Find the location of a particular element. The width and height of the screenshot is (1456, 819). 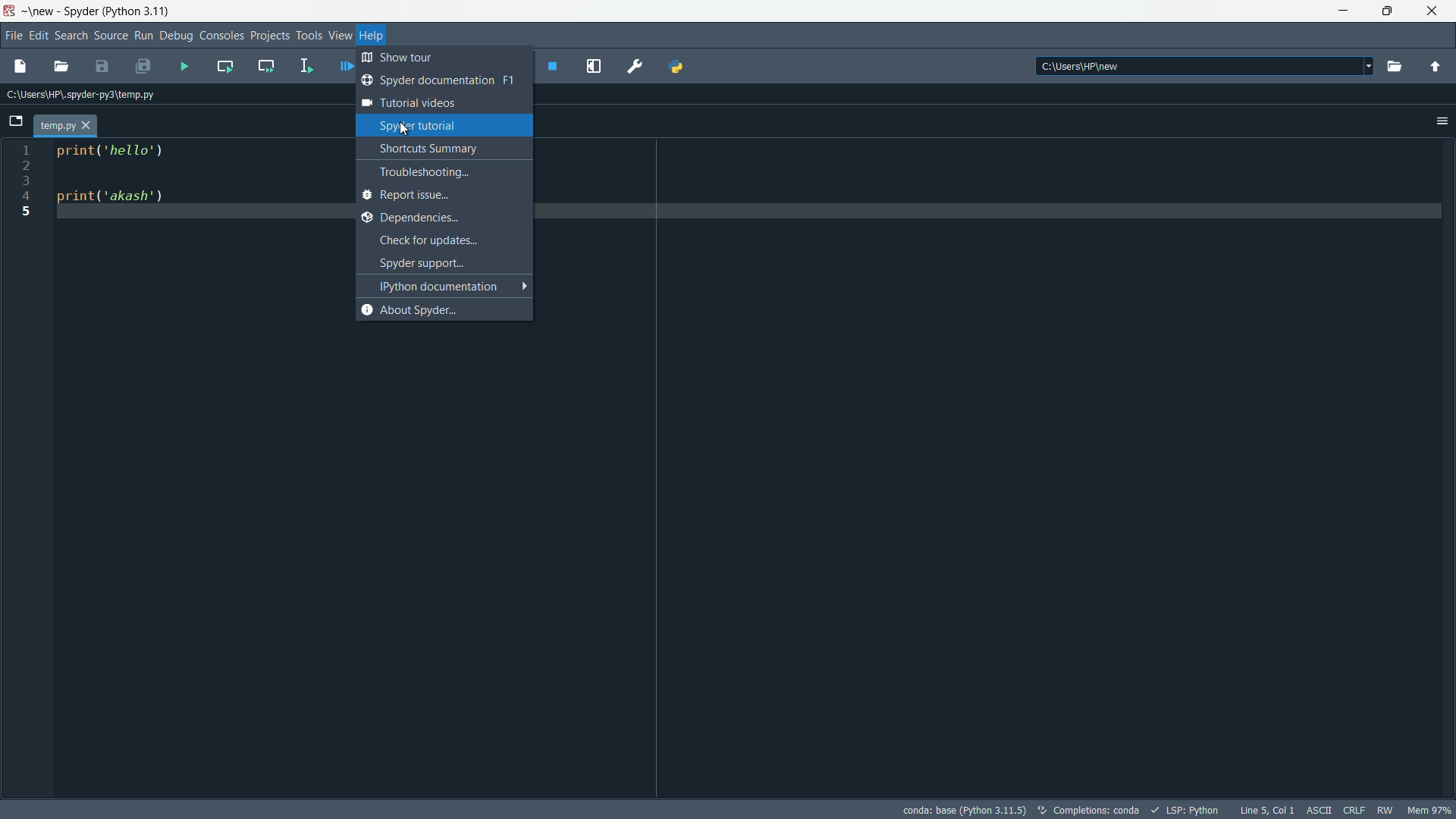

Spyder(python 3.11) is located at coordinates (121, 11).